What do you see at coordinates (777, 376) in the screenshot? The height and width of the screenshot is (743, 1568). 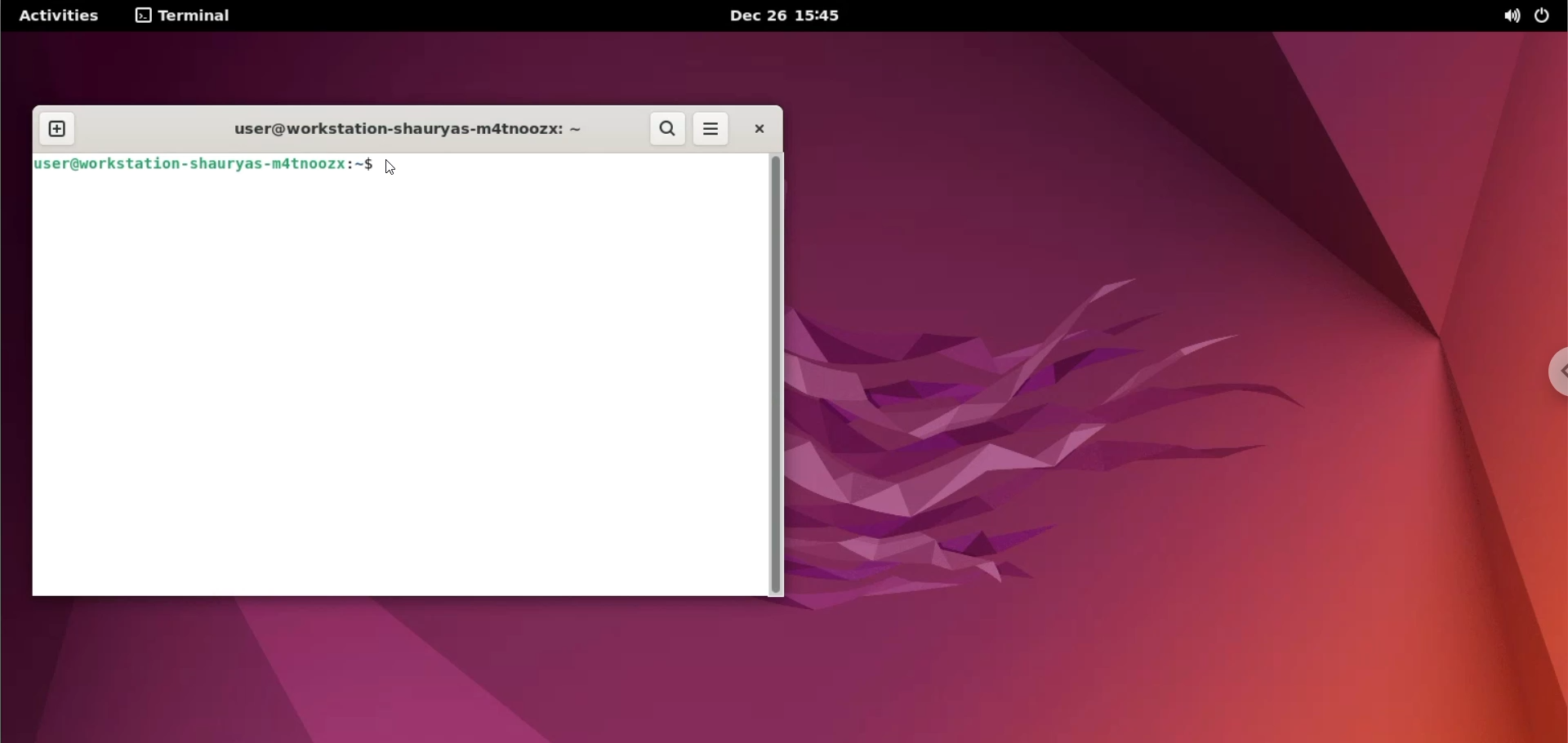 I see `scrollbar` at bounding box center [777, 376].